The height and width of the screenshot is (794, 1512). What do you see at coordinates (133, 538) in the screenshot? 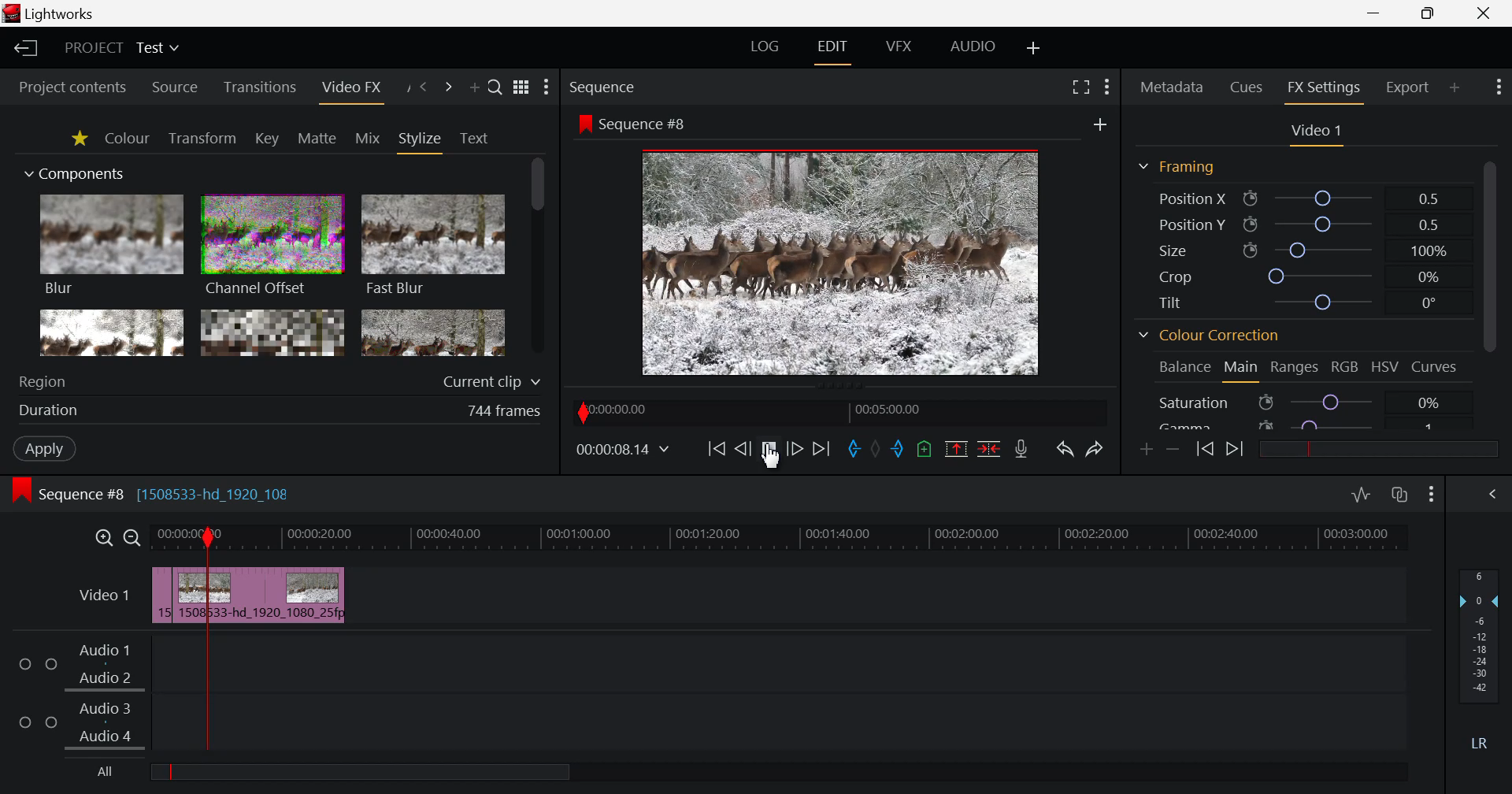
I see `Timeline Zoom Out` at bounding box center [133, 538].